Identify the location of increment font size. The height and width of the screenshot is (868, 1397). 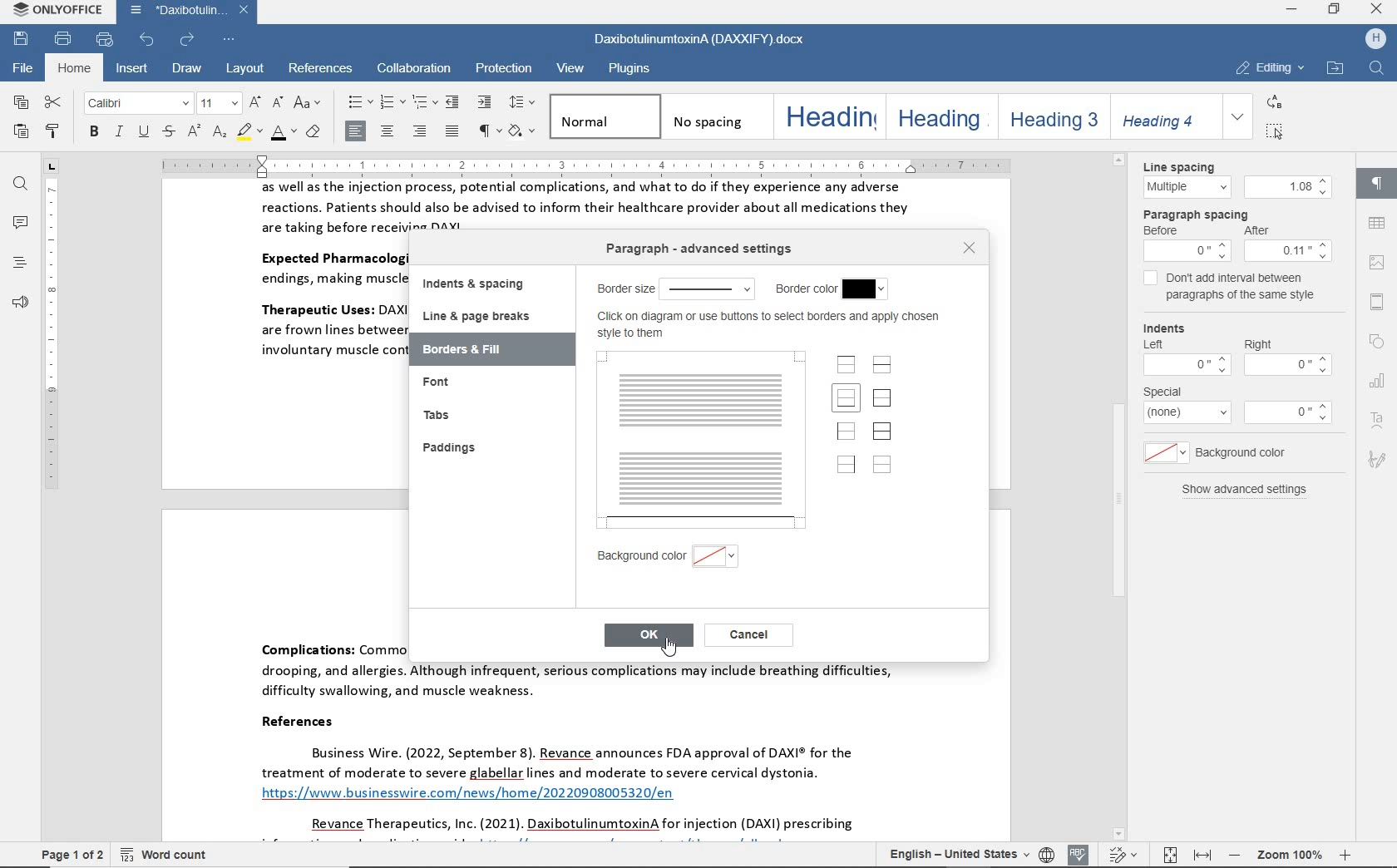
(253, 102).